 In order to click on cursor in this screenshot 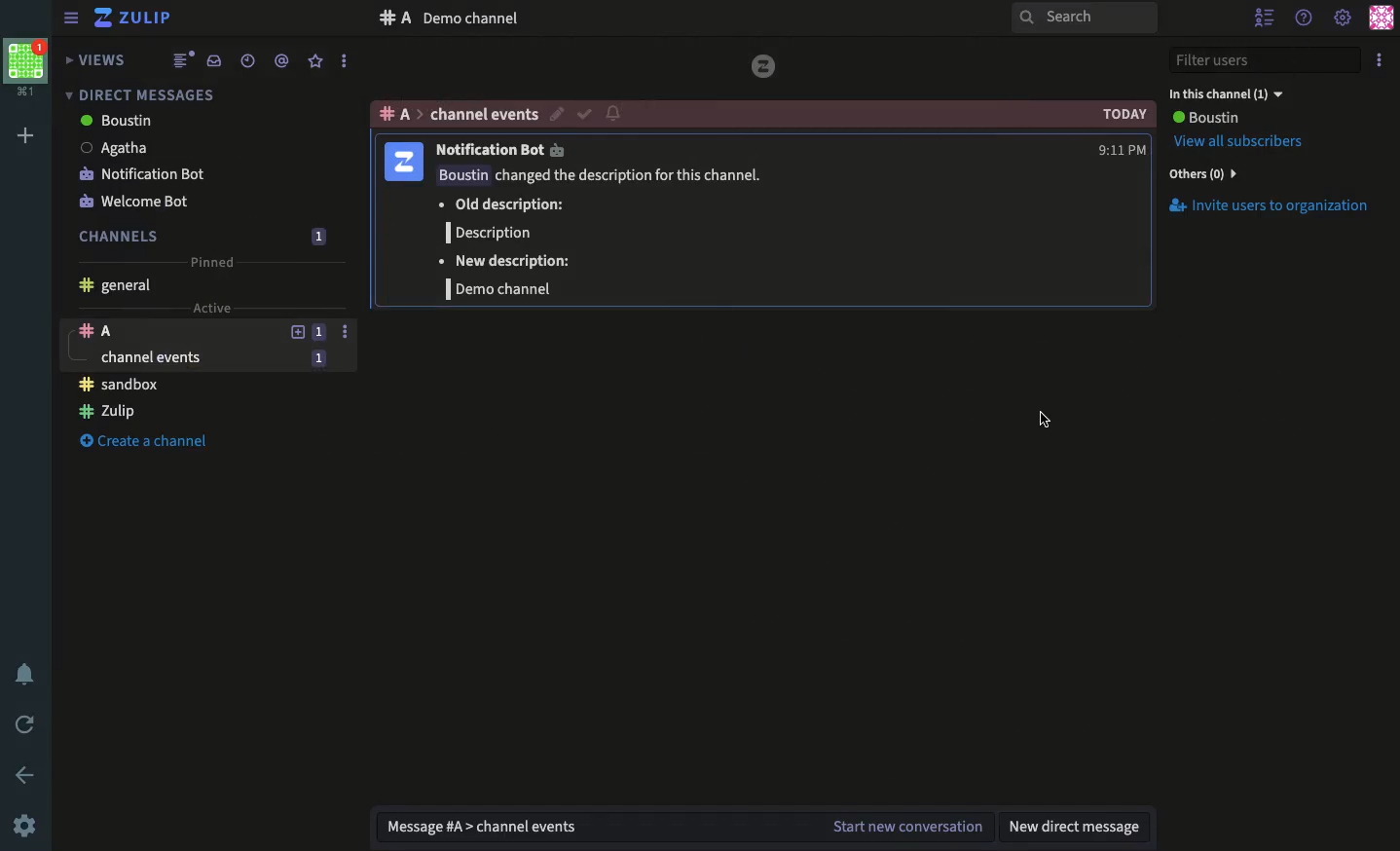, I will do `click(1044, 420)`.